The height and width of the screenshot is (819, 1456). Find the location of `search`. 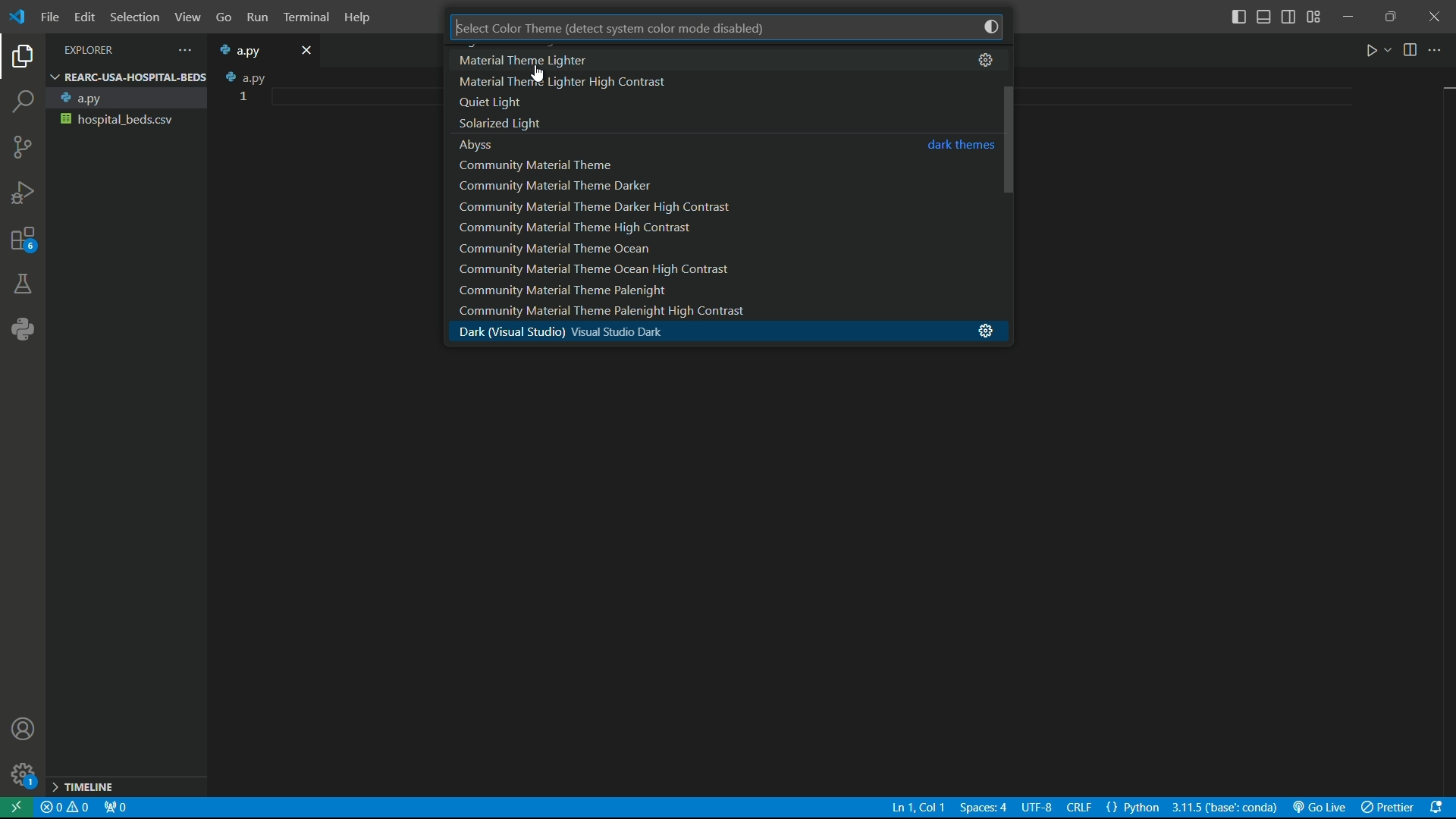

search is located at coordinates (24, 103).